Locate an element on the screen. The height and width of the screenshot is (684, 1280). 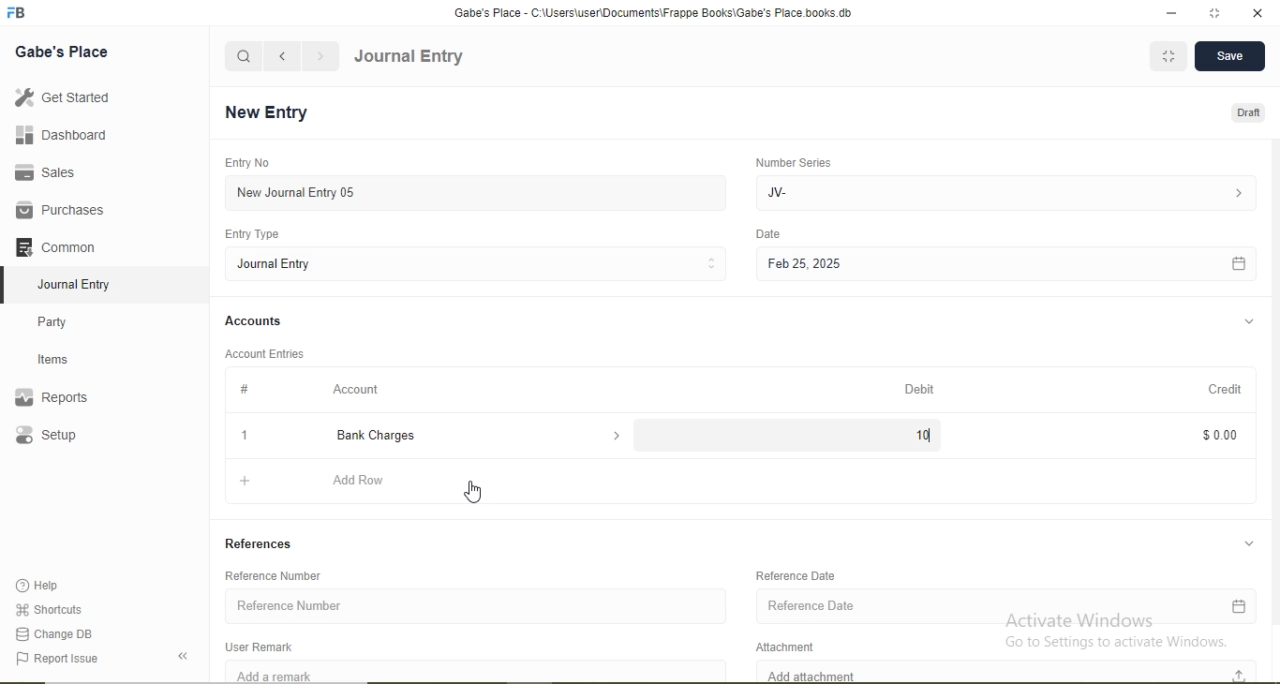
Draft is located at coordinates (1250, 114).